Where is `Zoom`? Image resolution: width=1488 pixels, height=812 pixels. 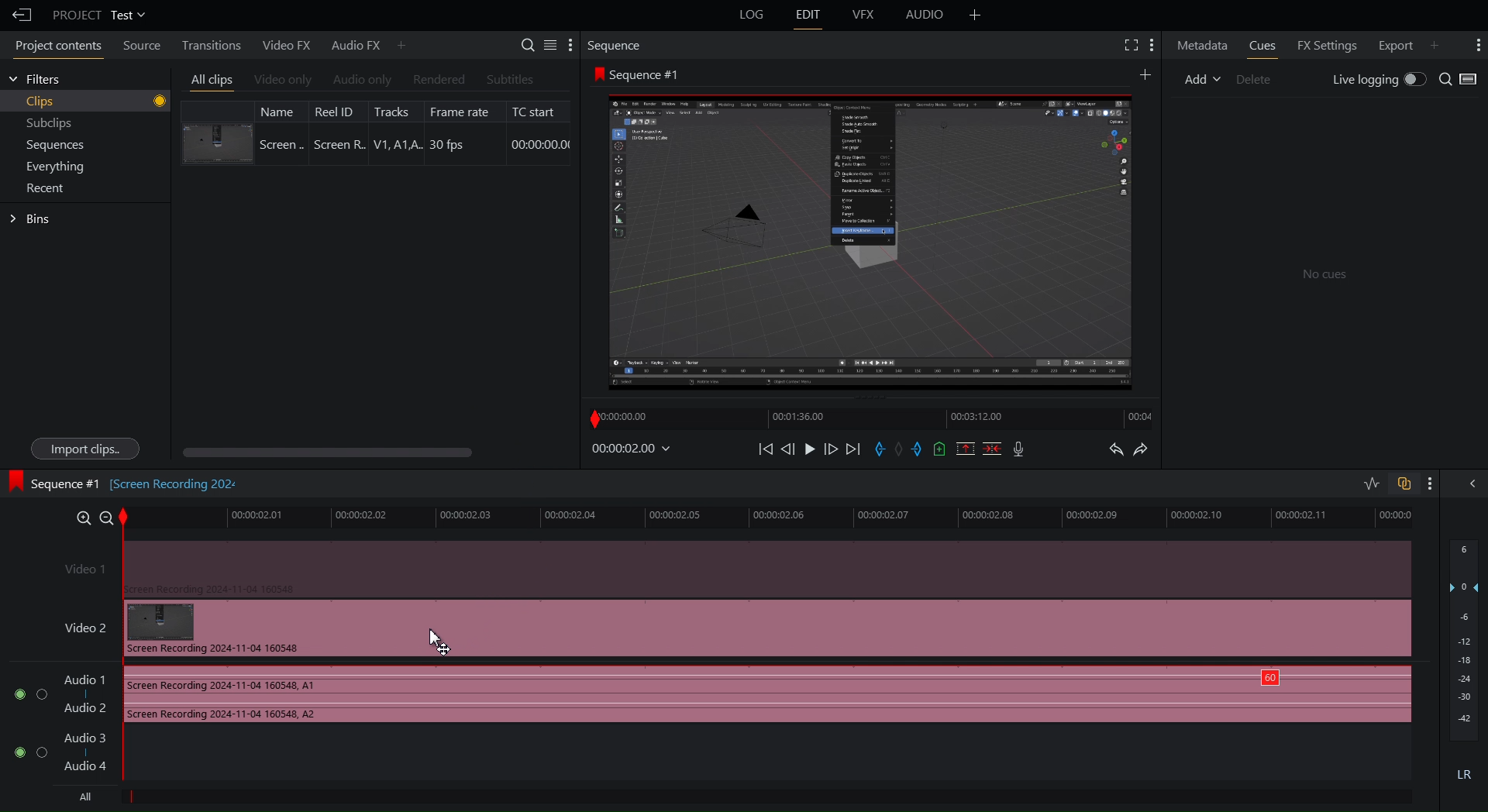 Zoom is located at coordinates (88, 515).